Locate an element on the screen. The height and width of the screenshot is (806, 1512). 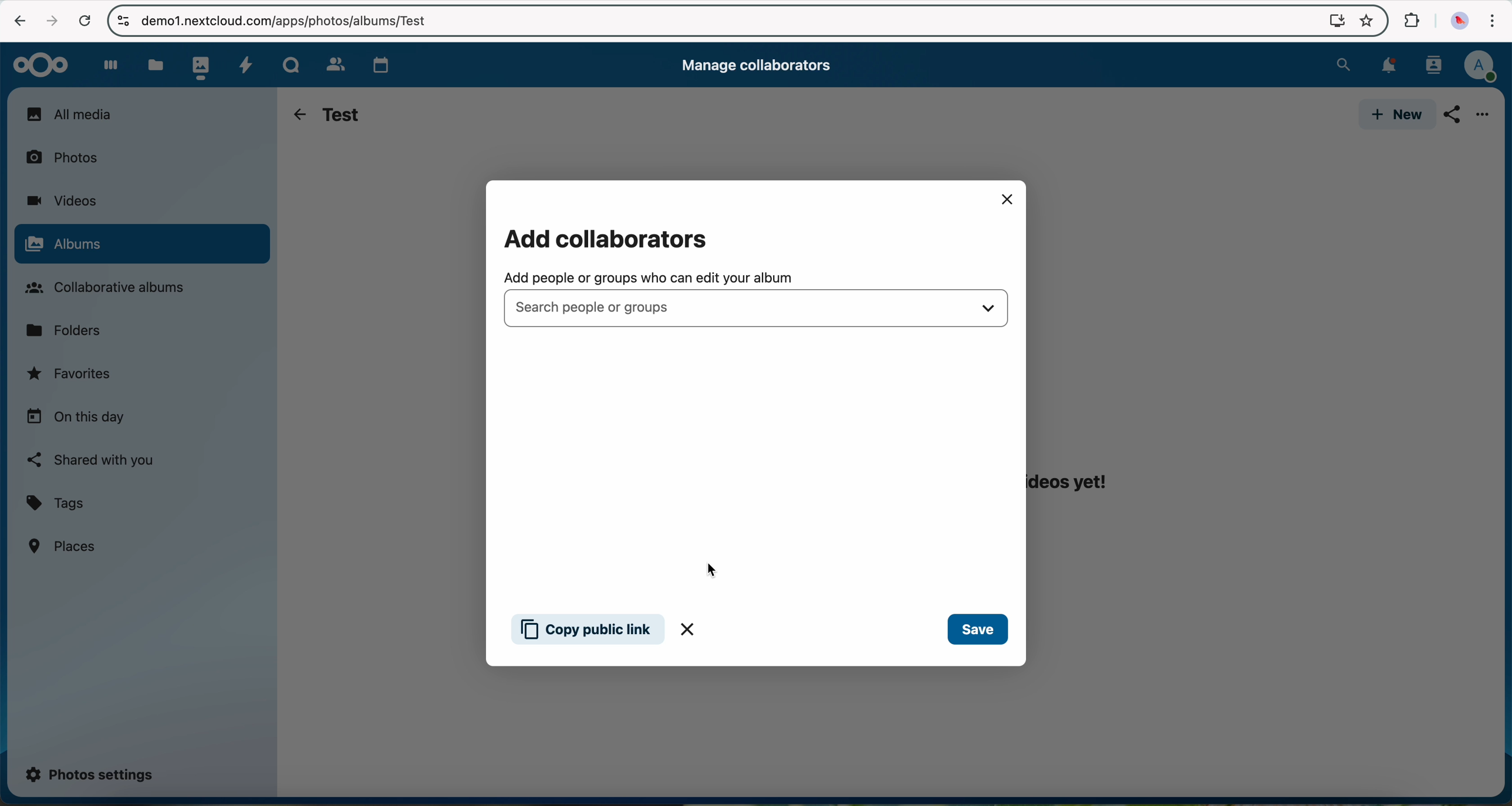
close pop-up is located at coordinates (1006, 198).